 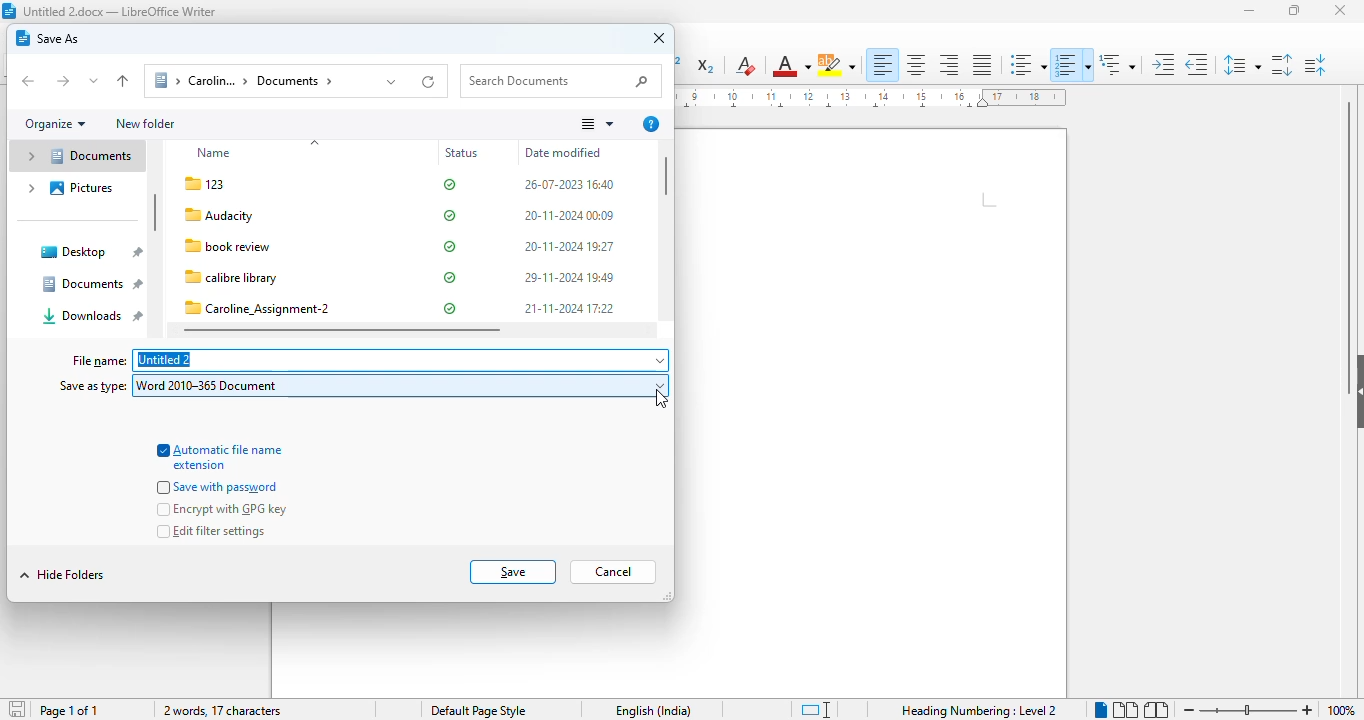 I want to click on documents, so click(x=75, y=156).